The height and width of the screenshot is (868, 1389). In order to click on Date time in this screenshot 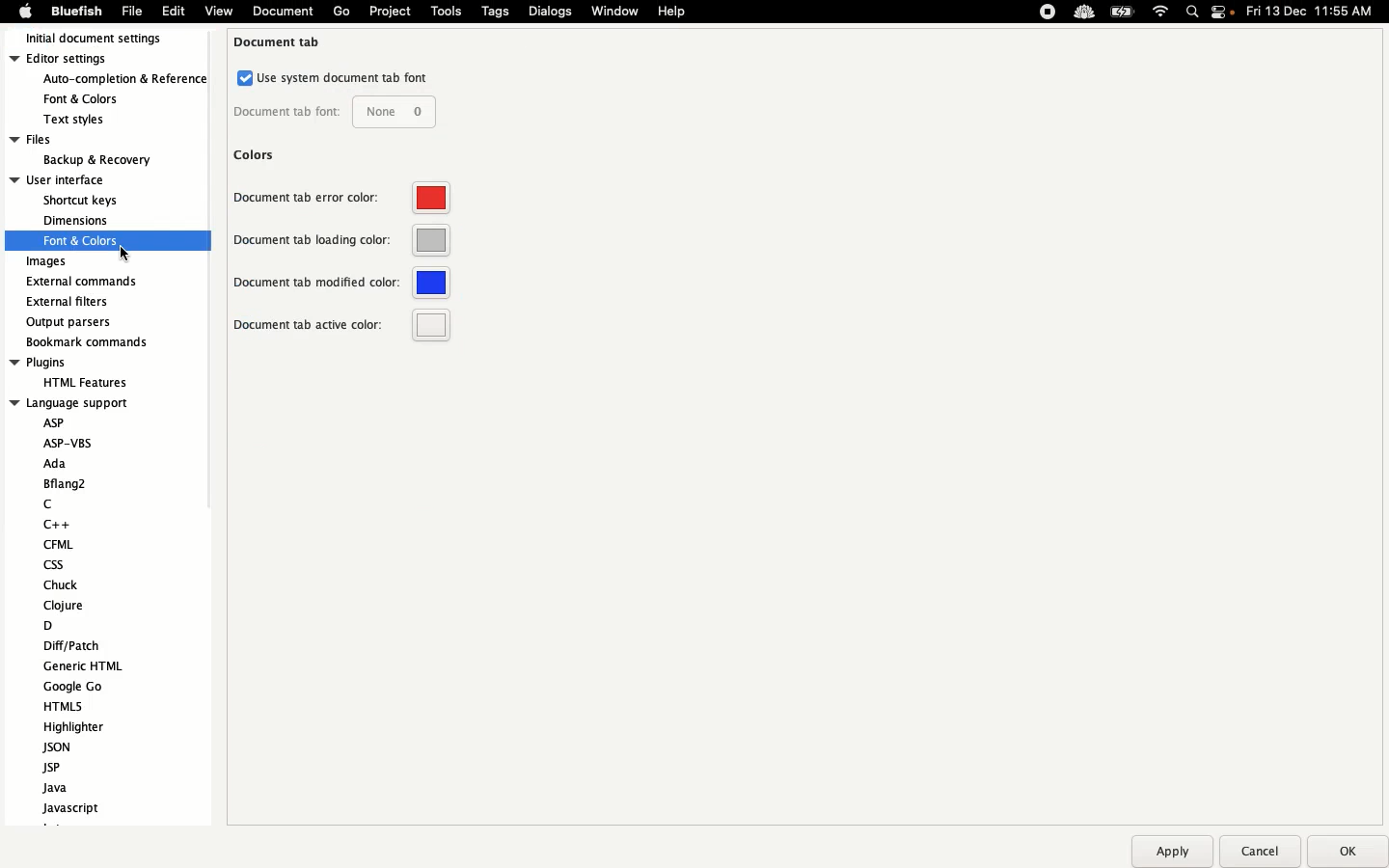, I will do `click(1316, 11)`.